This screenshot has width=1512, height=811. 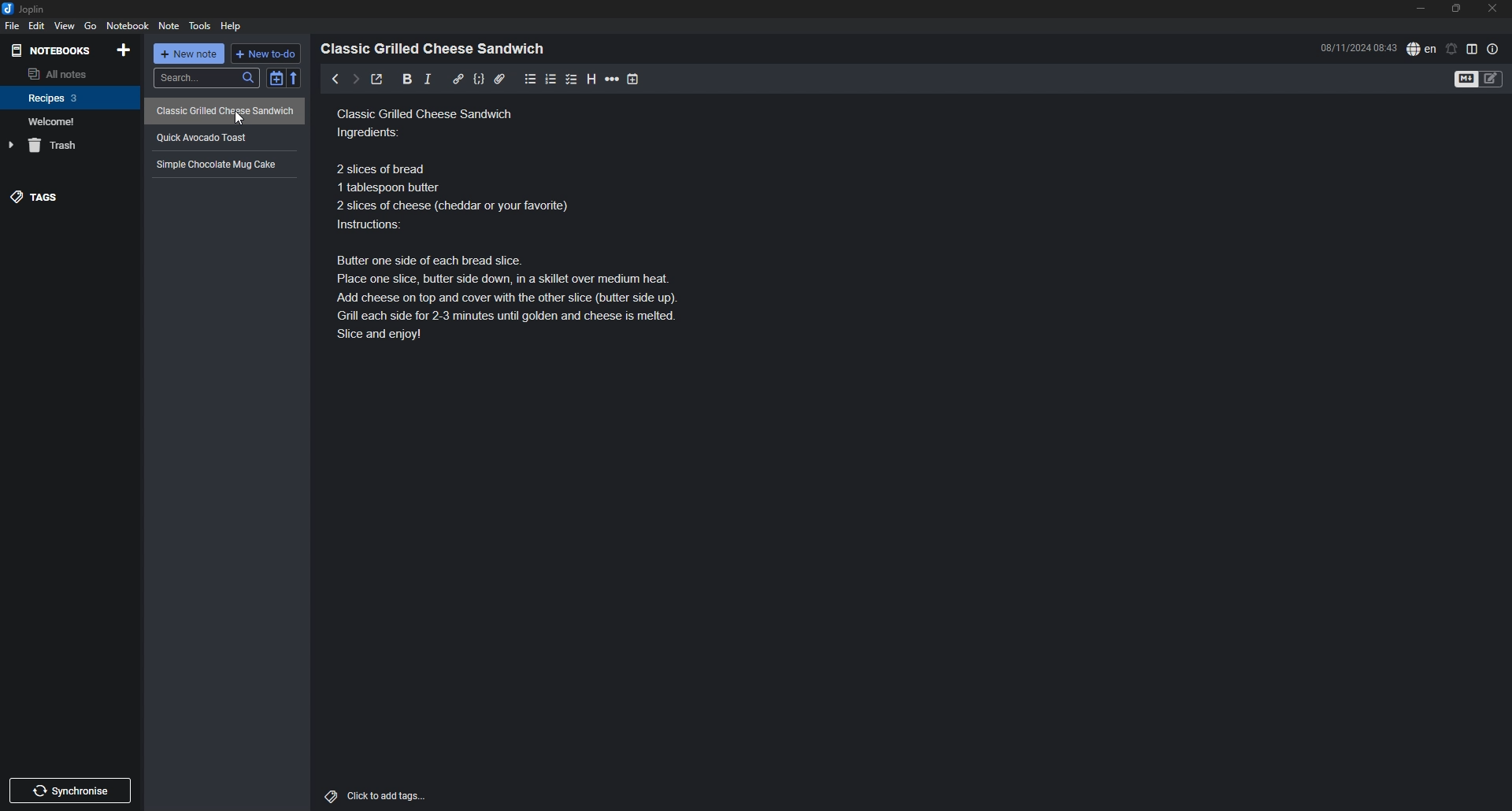 I want to click on bullet list, so click(x=531, y=79).